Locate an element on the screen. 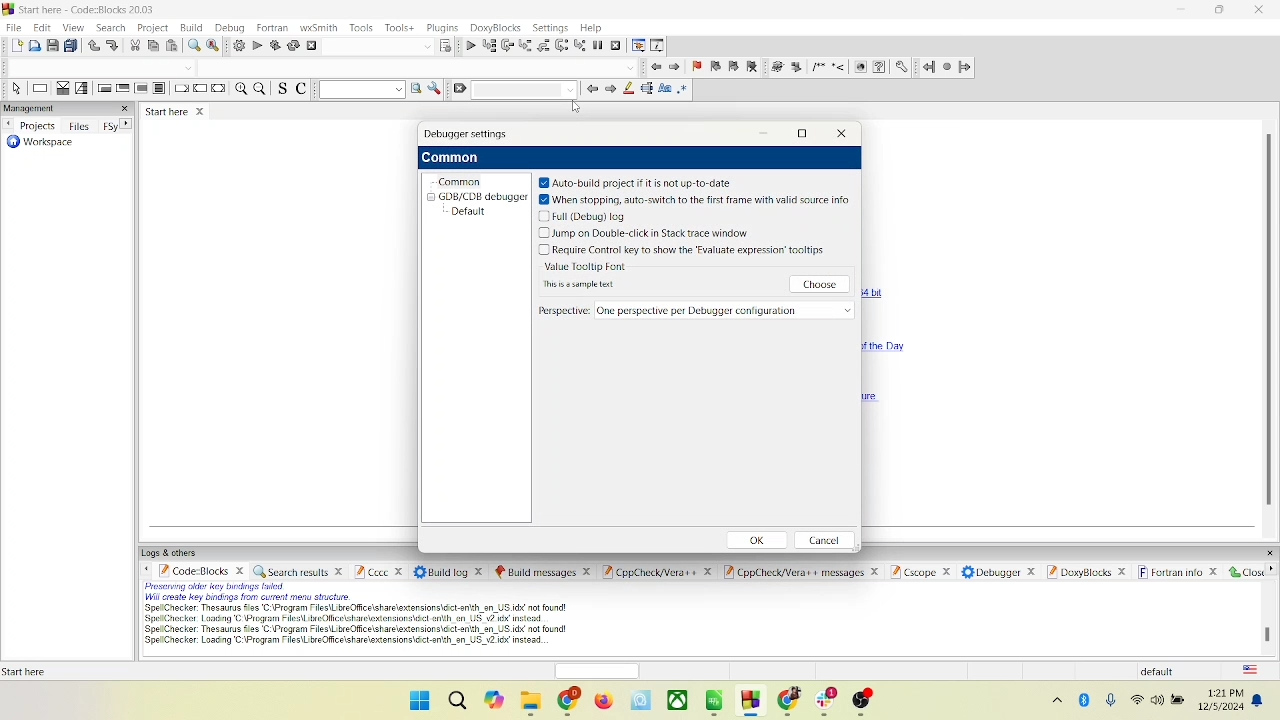 This screenshot has height=720, width=1280. build and run is located at coordinates (274, 46).